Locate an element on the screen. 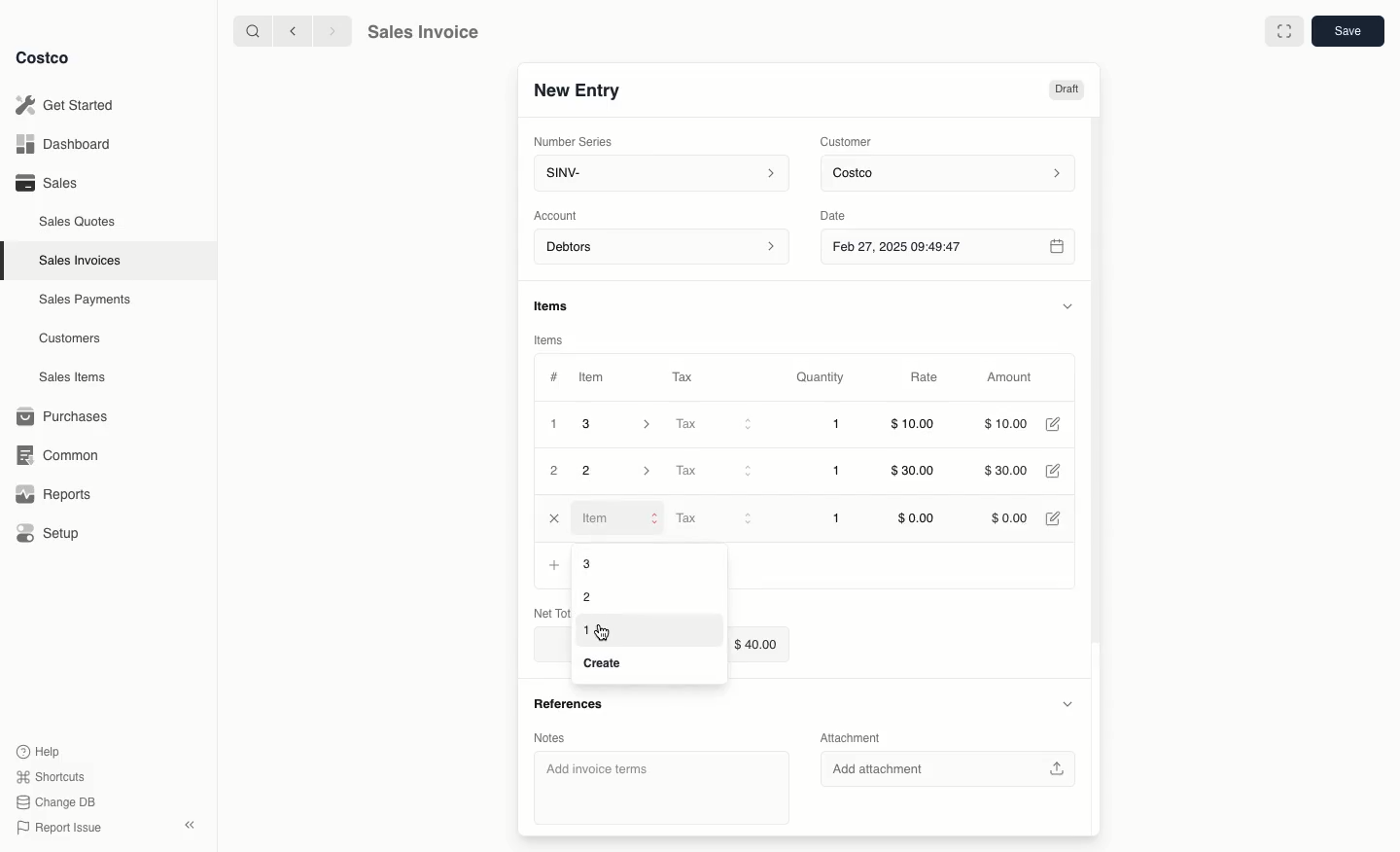 The width and height of the screenshot is (1400, 852). Amount is located at coordinates (1007, 378).